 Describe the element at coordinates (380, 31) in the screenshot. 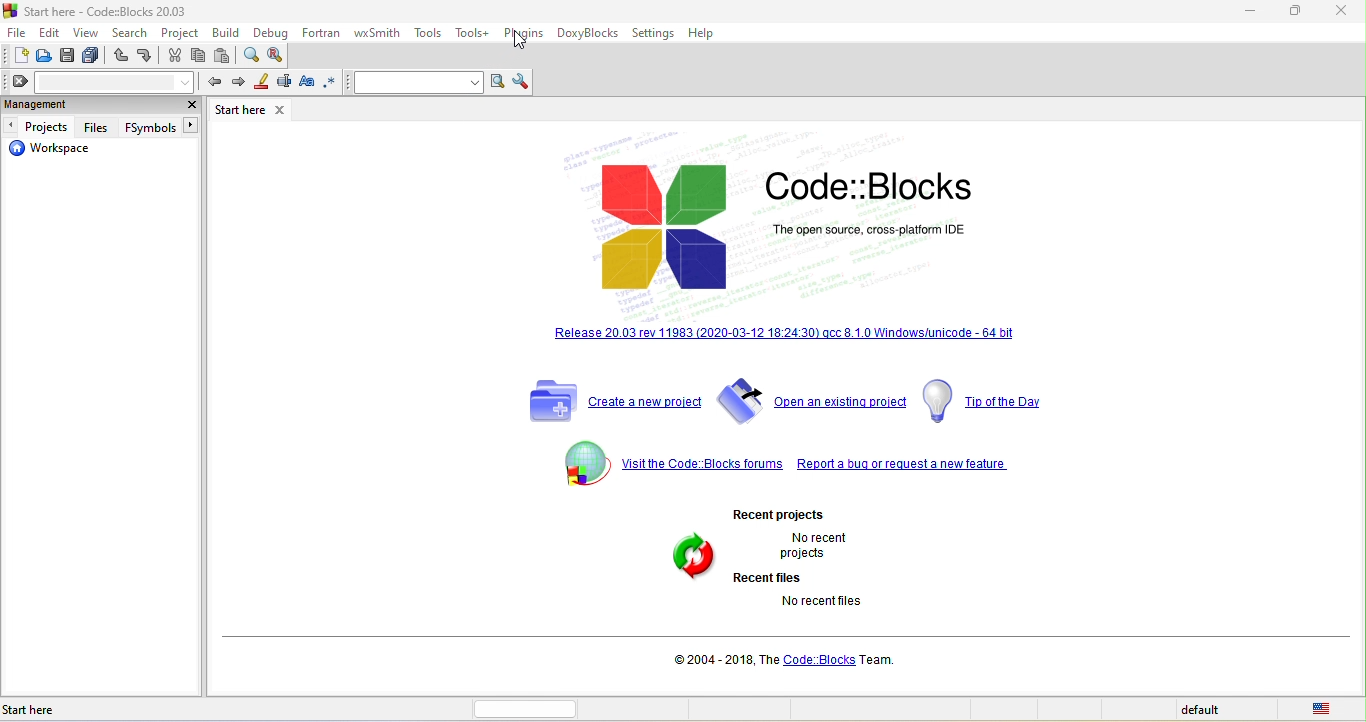

I see `wxsmith` at that location.